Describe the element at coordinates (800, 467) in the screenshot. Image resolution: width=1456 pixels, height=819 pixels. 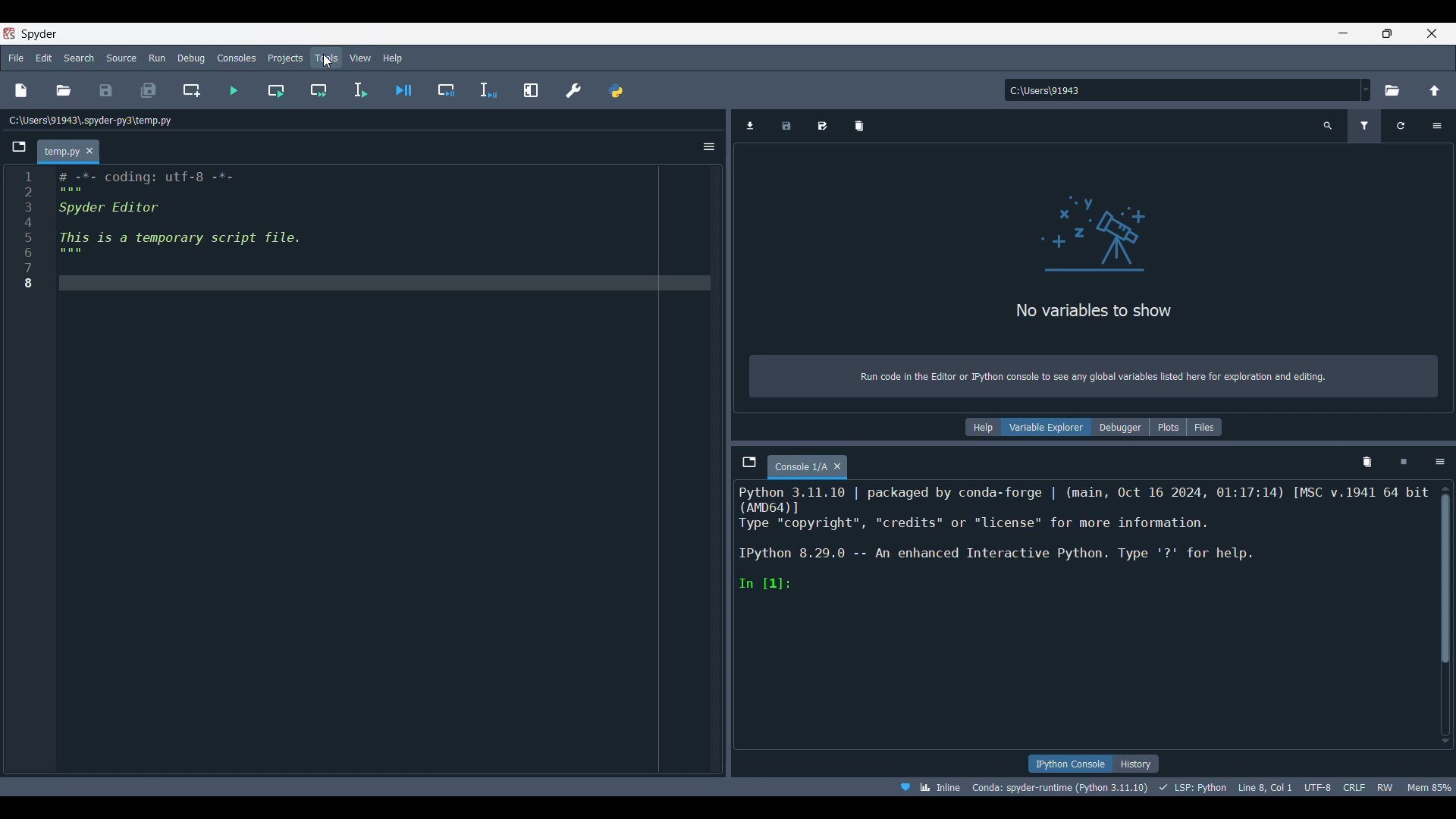
I see `Current tab highlighted` at that location.